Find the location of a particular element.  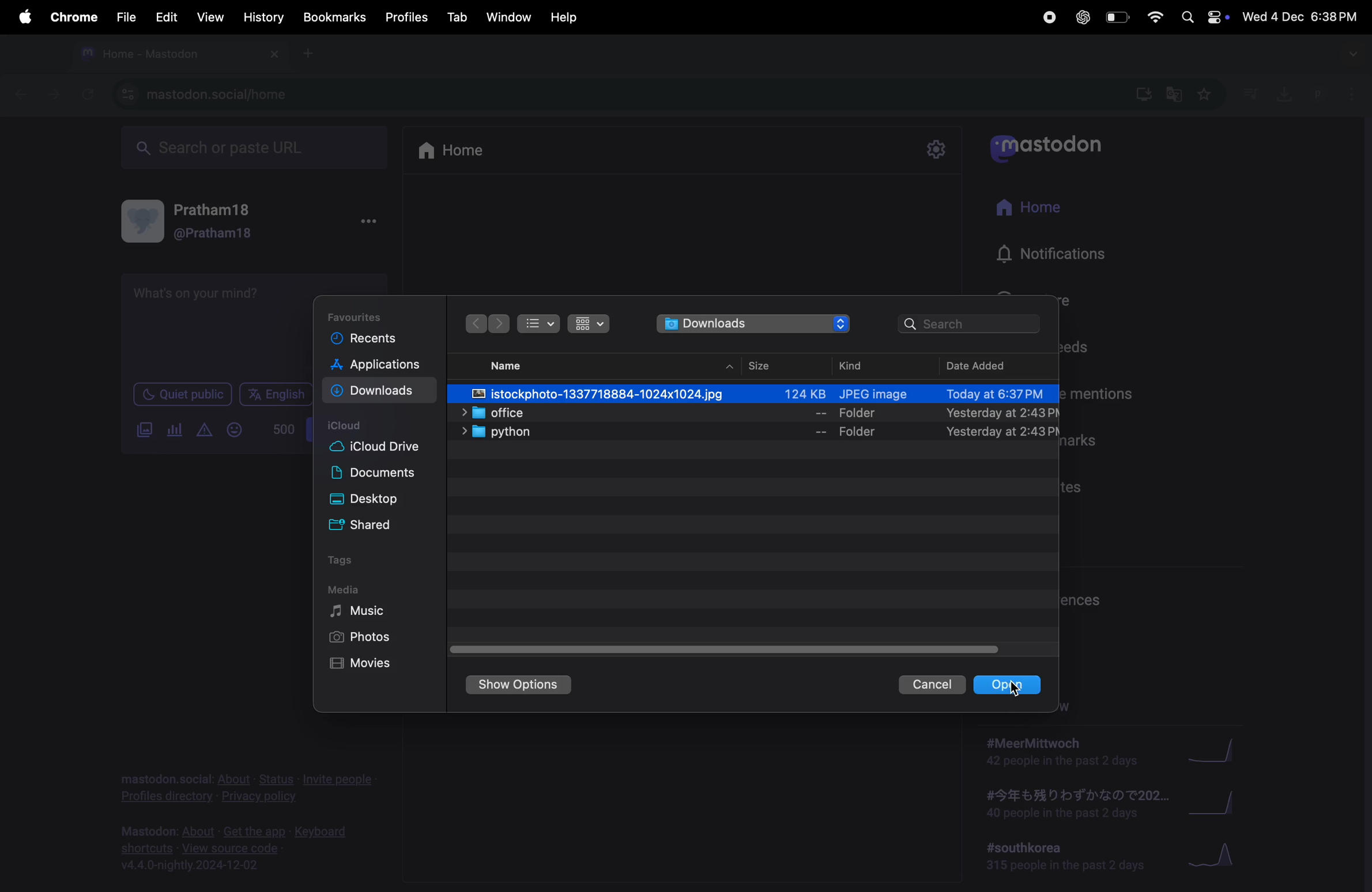

i cloud is located at coordinates (350, 426).